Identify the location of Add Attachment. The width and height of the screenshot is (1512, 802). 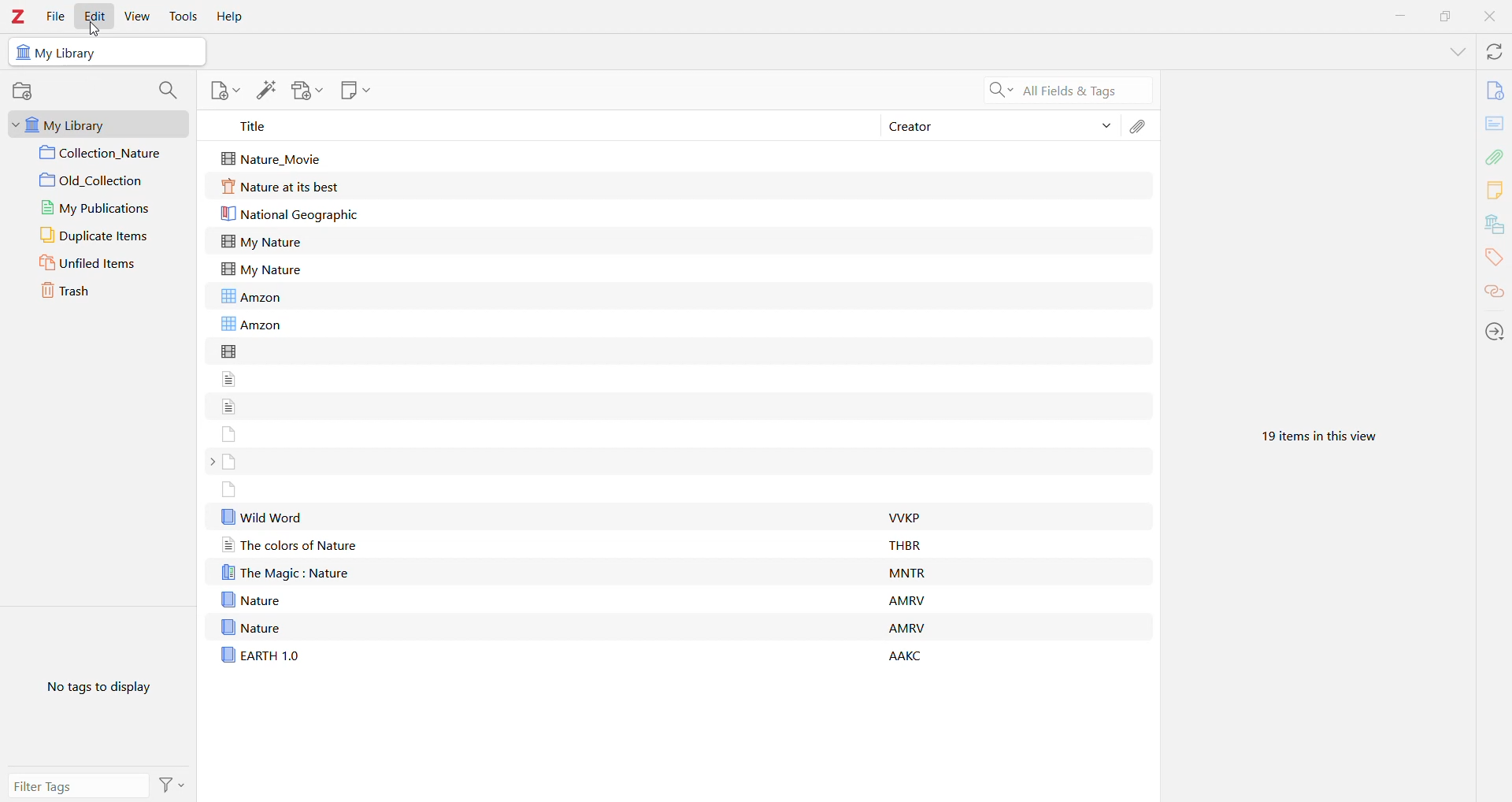
(306, 91).